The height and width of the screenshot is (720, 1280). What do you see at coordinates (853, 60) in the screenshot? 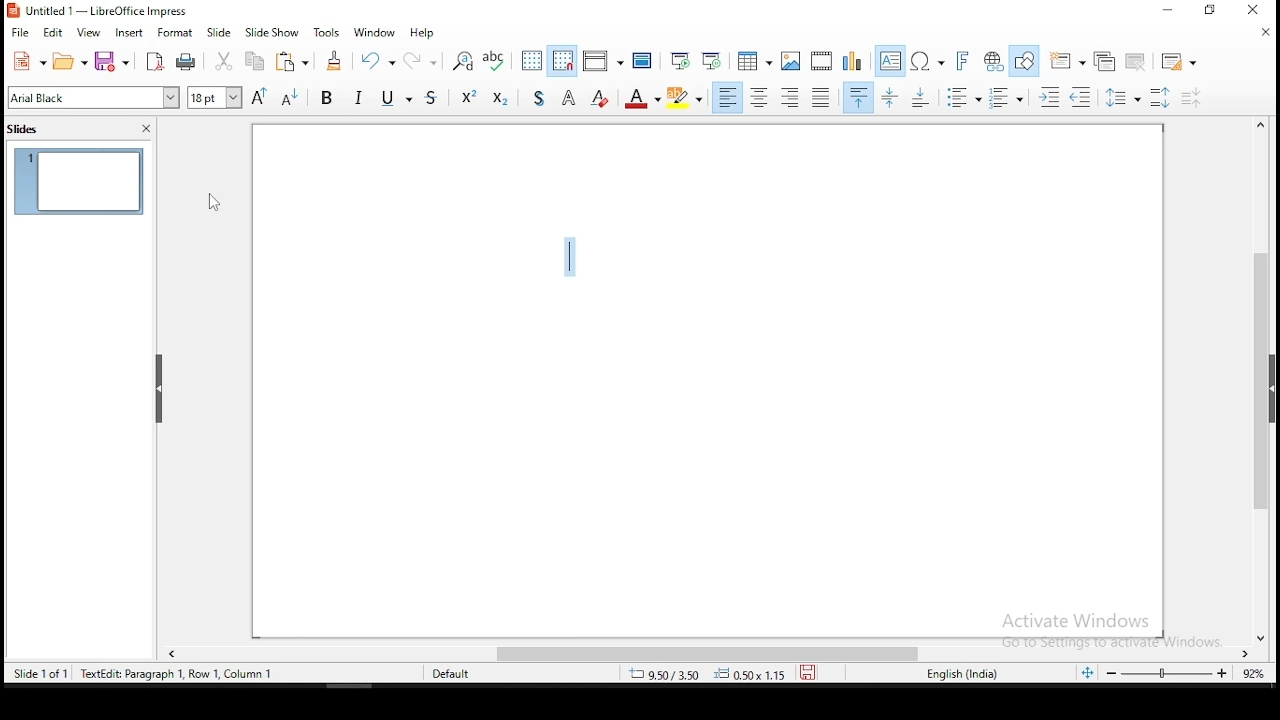
I see `charts` at bounding box center [853, 60].